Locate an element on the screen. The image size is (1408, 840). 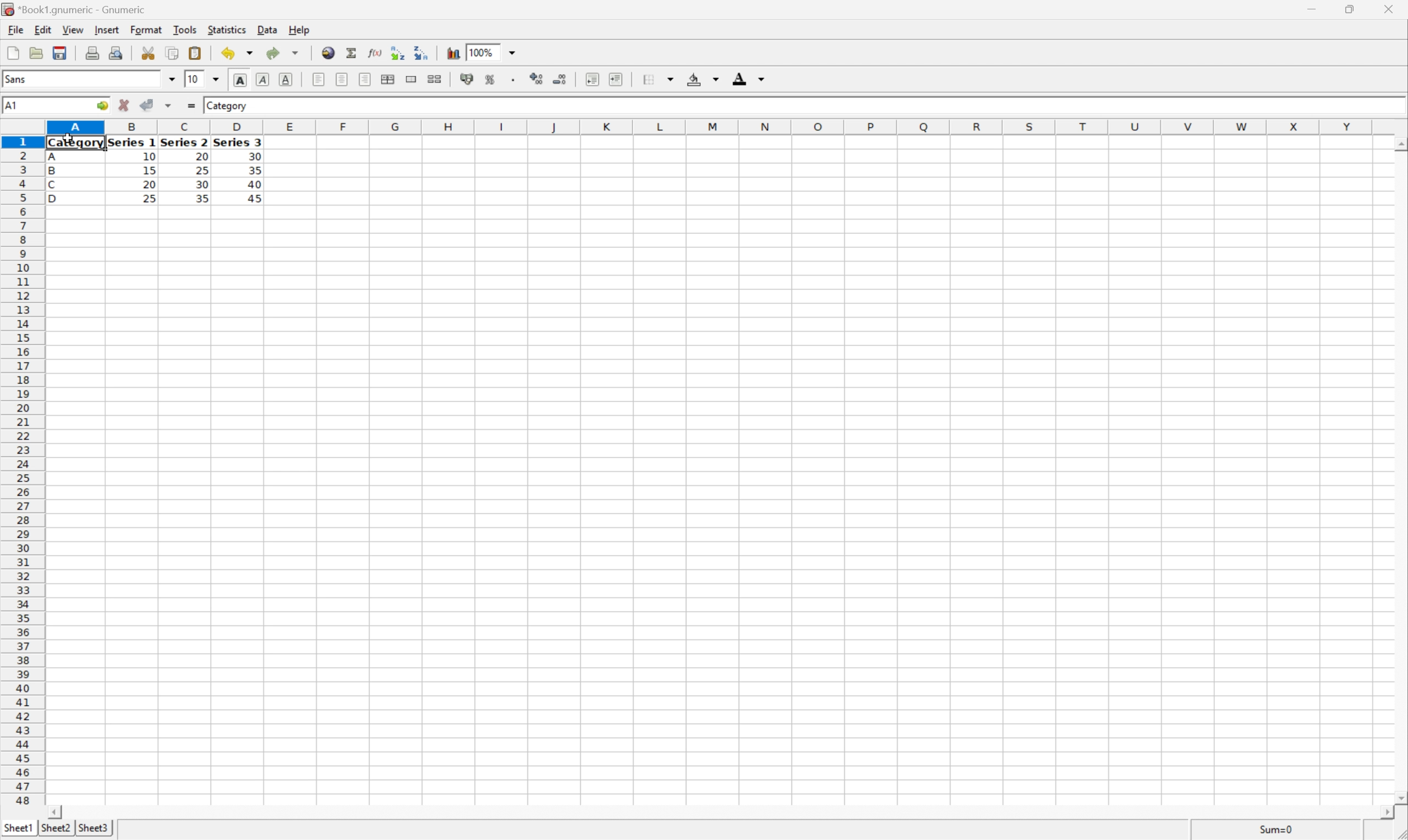
100% is located at coordinates (482, 52).